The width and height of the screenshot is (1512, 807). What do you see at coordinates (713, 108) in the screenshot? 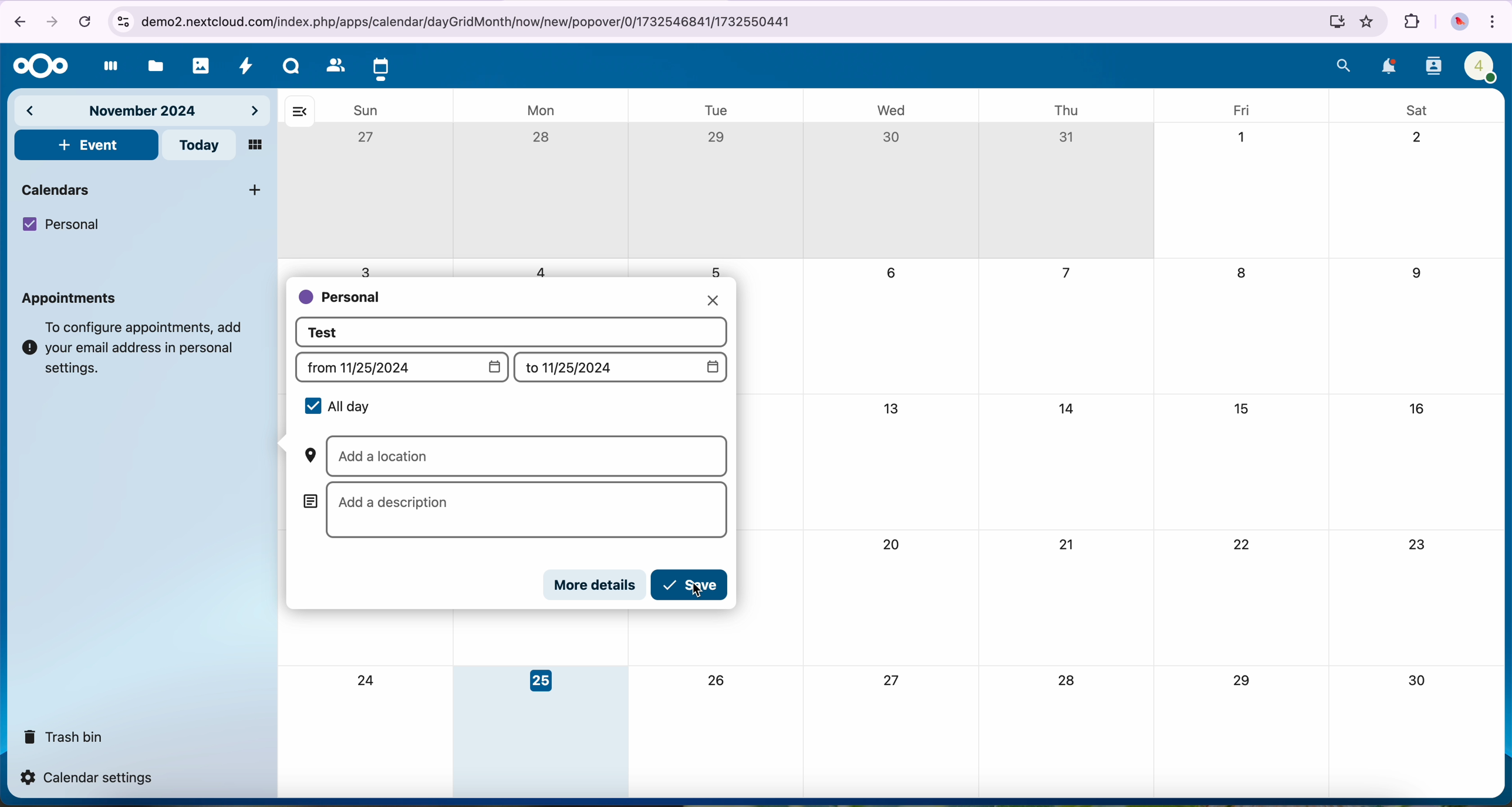
I see `tue` at bounding box center [713, 108].